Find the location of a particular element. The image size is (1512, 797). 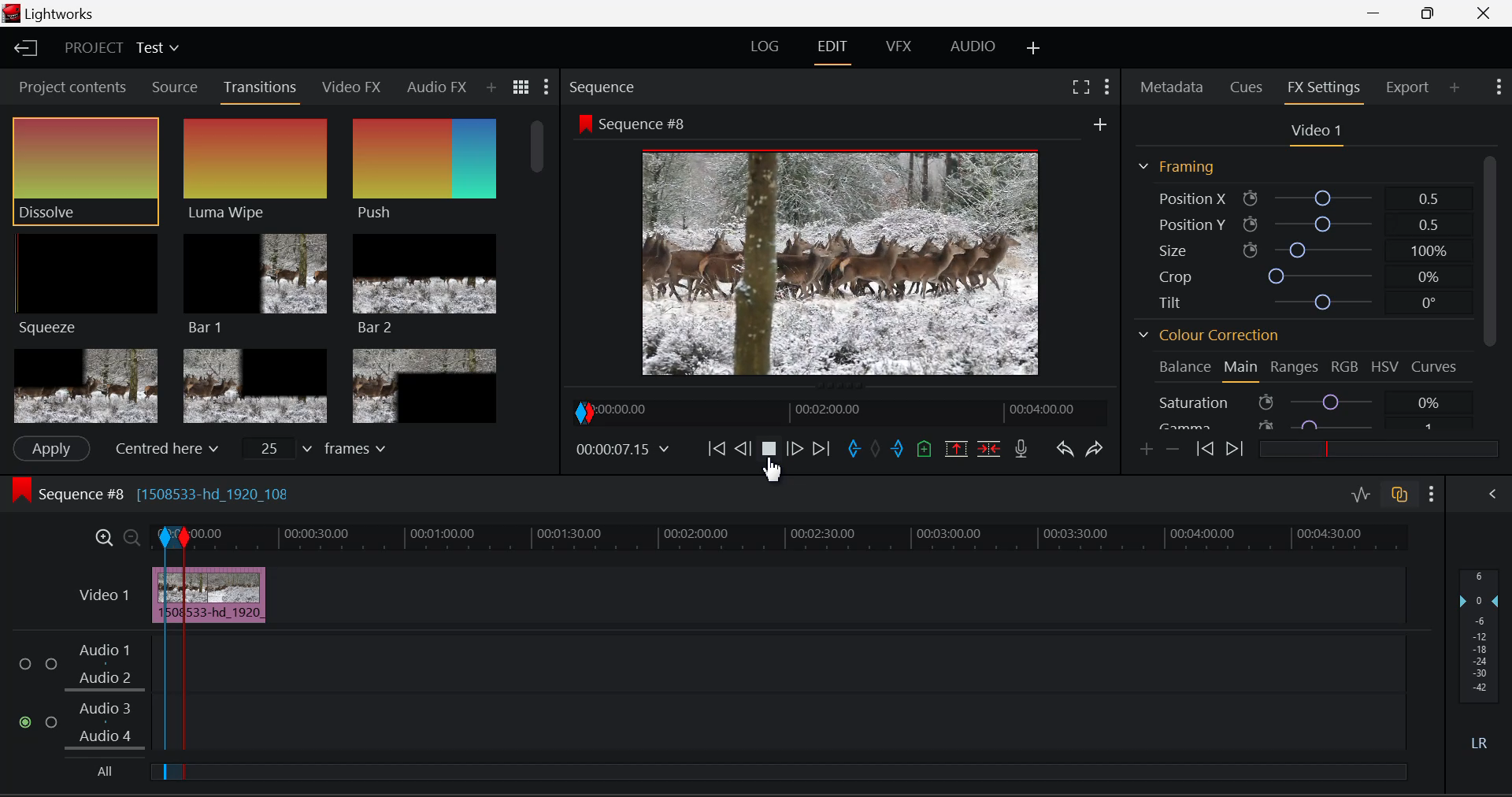

Undo is located at coordinates (1066, 451).